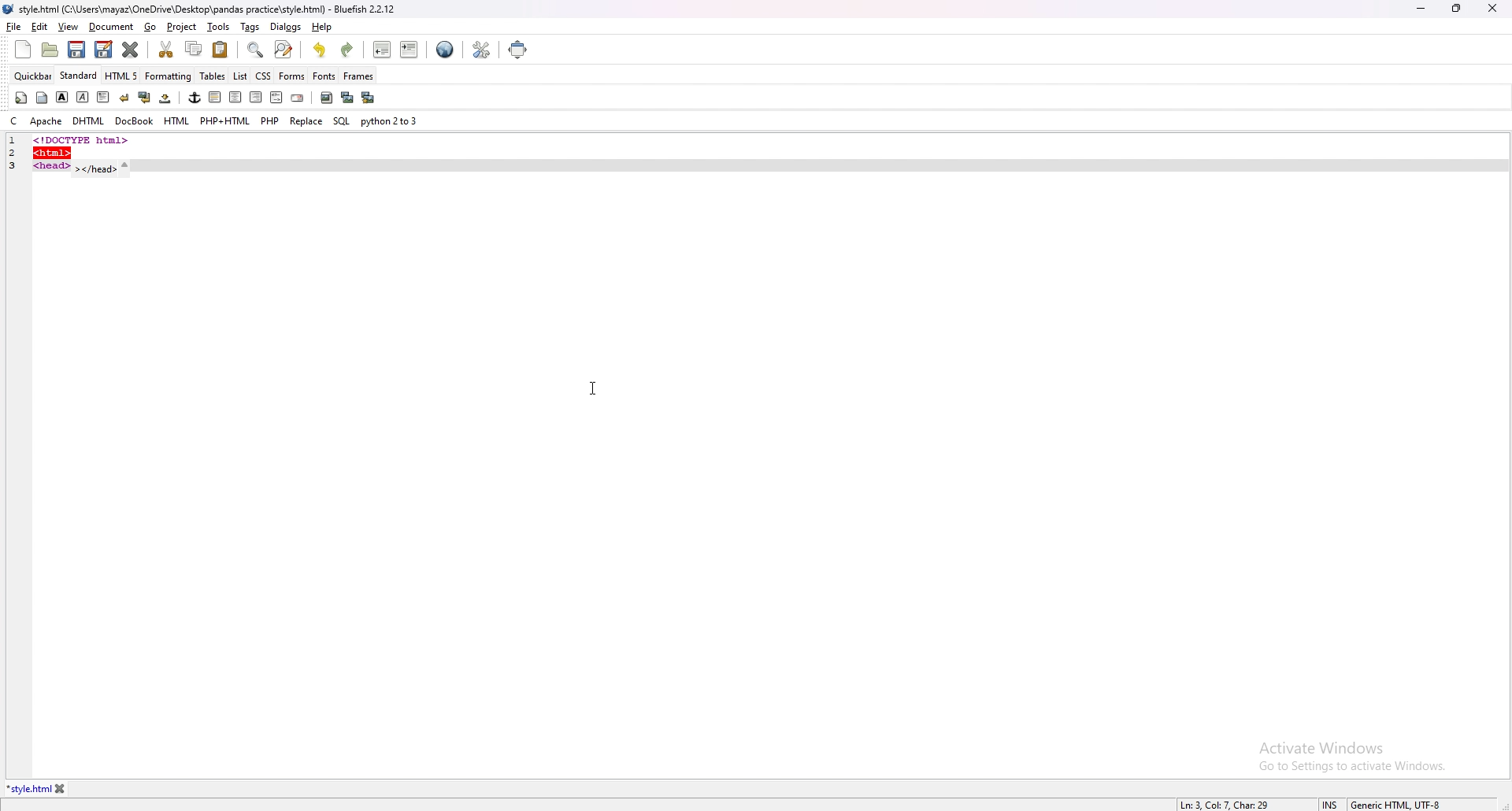 The height and width of the screenshot is (811, 1512). Describe the element at coordinates (213, 76) in the screenshot. I see `tables` at that location.